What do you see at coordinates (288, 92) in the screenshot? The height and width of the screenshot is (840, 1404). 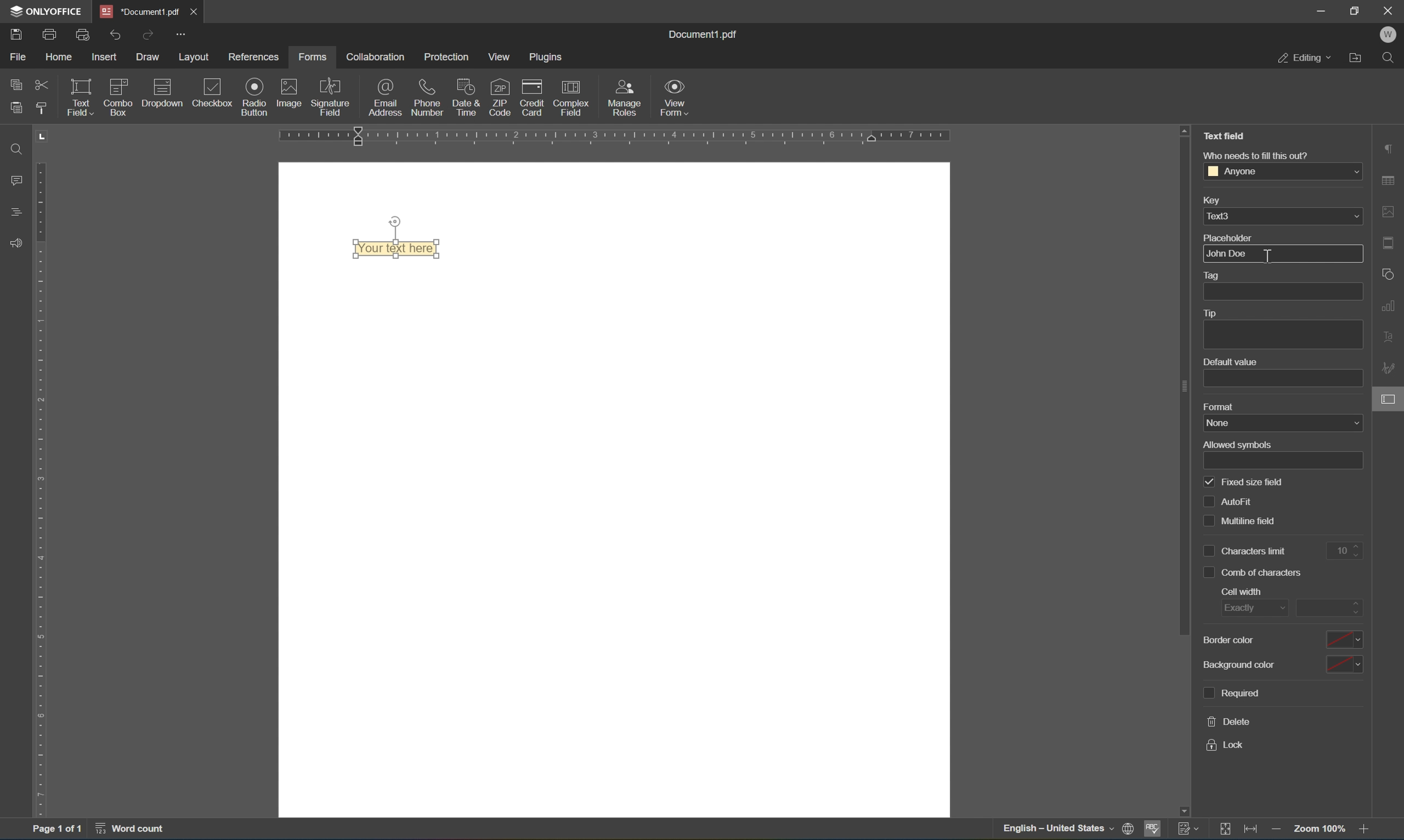 I see `image` at bounding box center [288, 92].